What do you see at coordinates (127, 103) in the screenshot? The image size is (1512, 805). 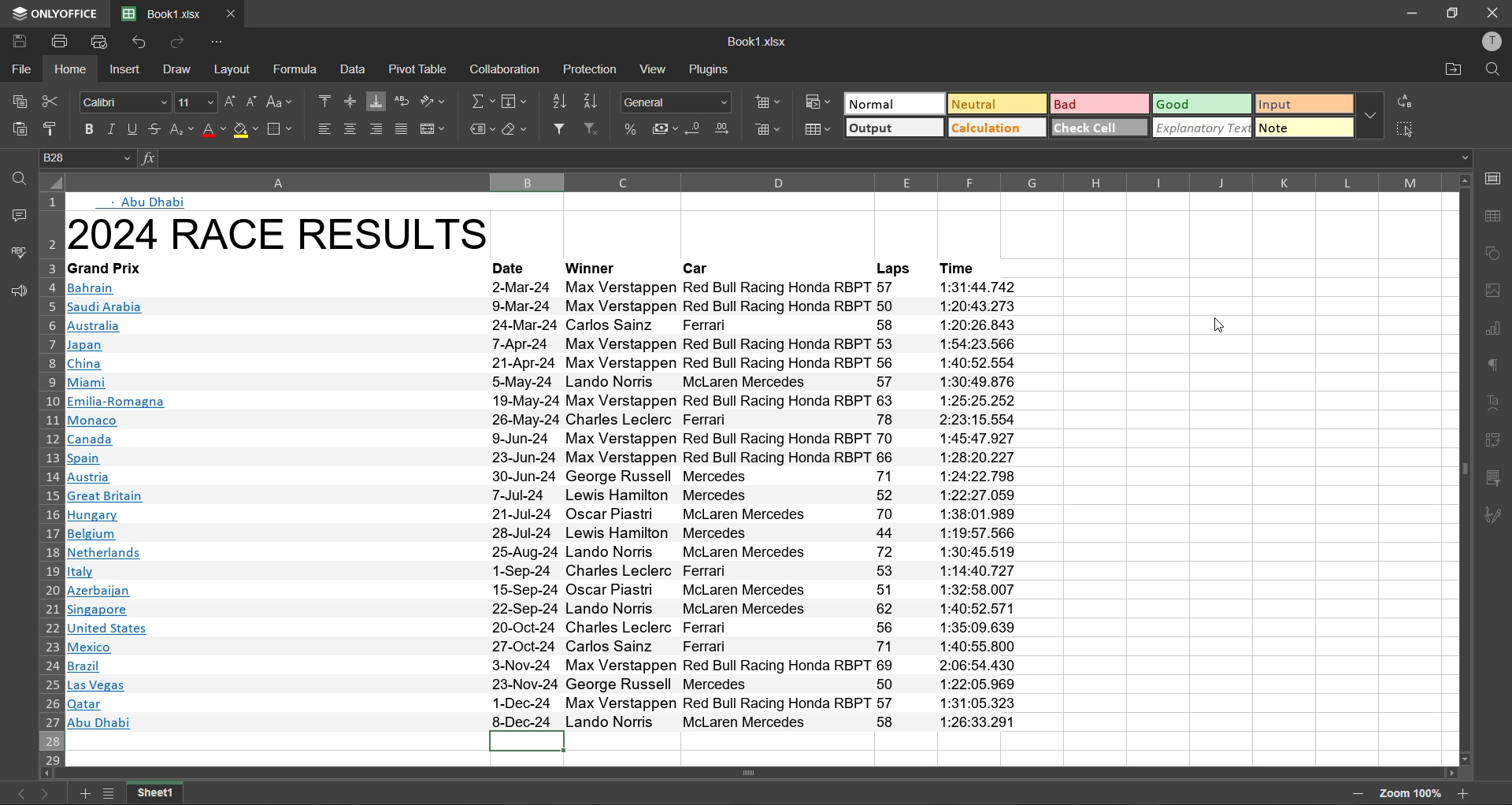 I see `font style` at bounding box center [127, 103].